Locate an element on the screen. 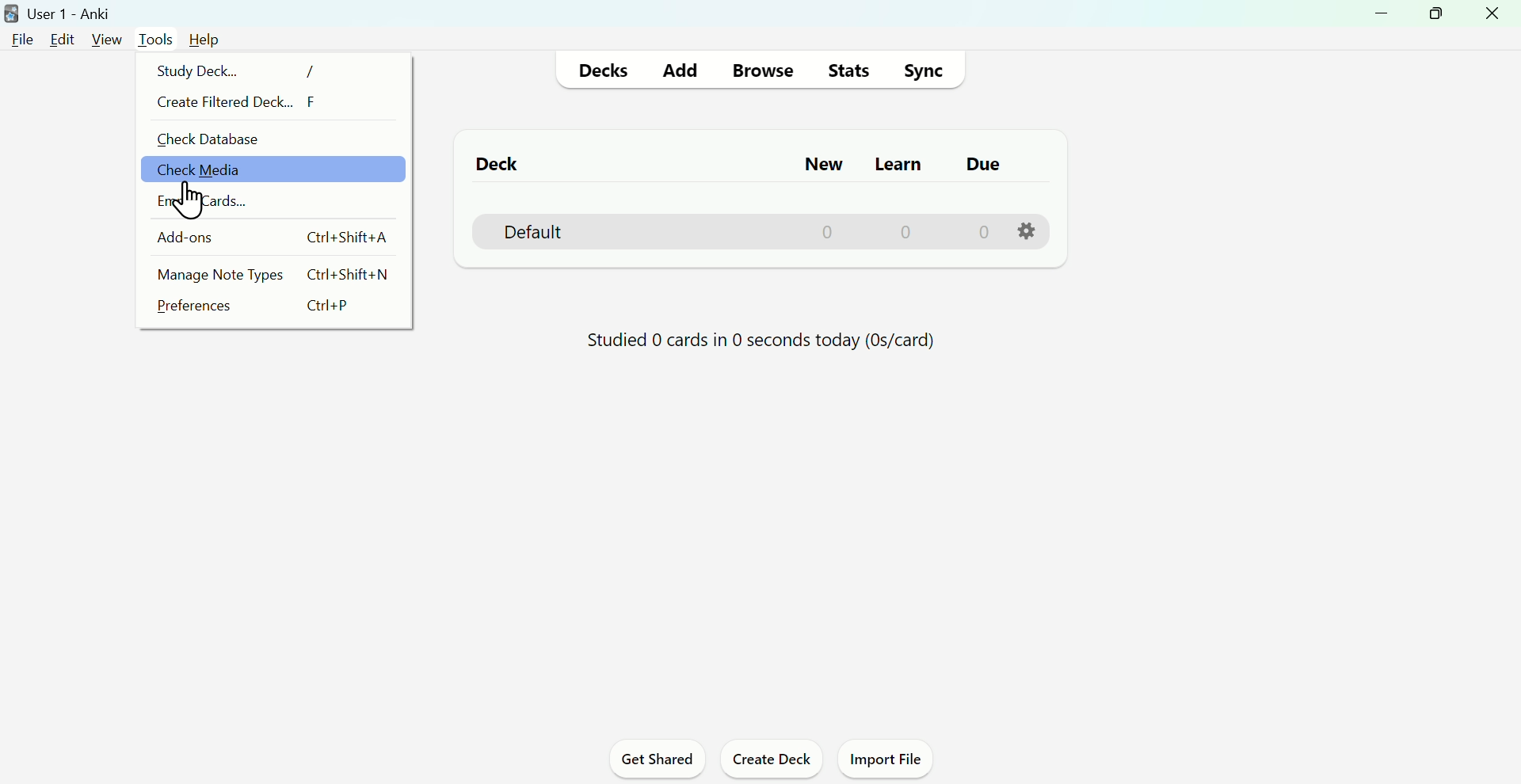 Image resolution: width=1521 pixels, height=784 pixels. Add is located at coordinates (679, 68).